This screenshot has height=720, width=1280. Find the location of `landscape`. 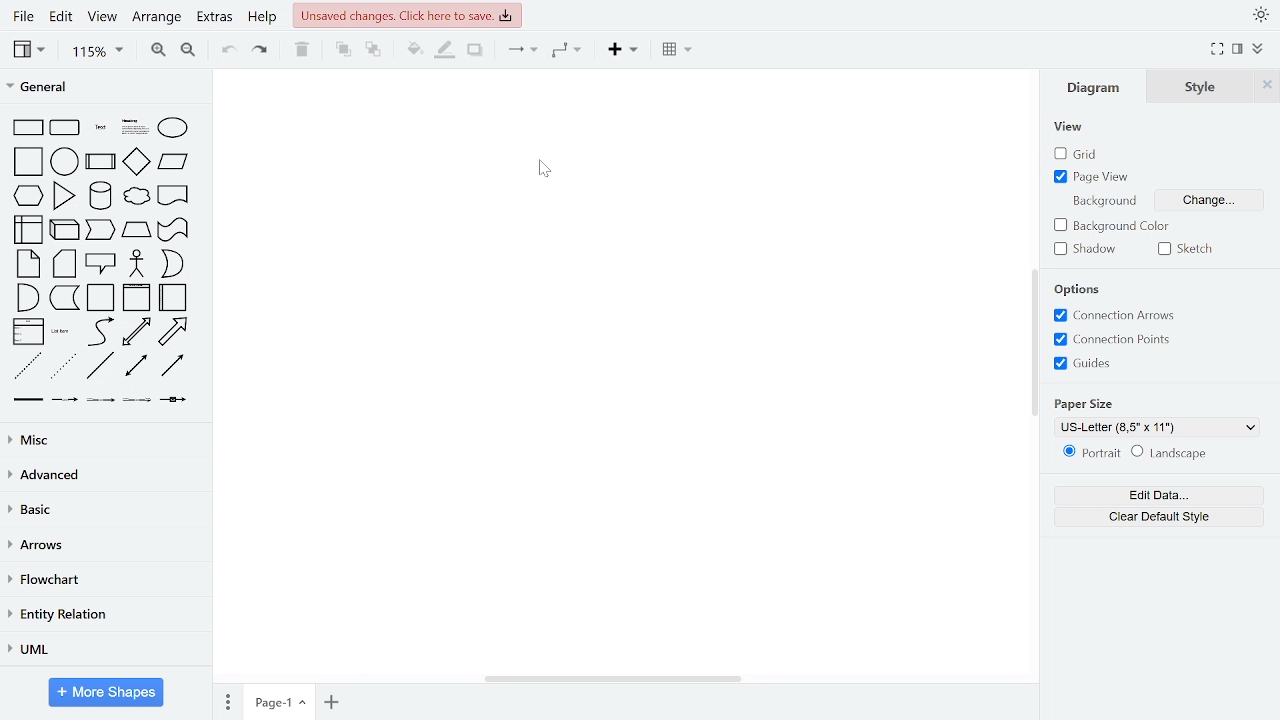

landscape is located at coordinates (1170, 453).